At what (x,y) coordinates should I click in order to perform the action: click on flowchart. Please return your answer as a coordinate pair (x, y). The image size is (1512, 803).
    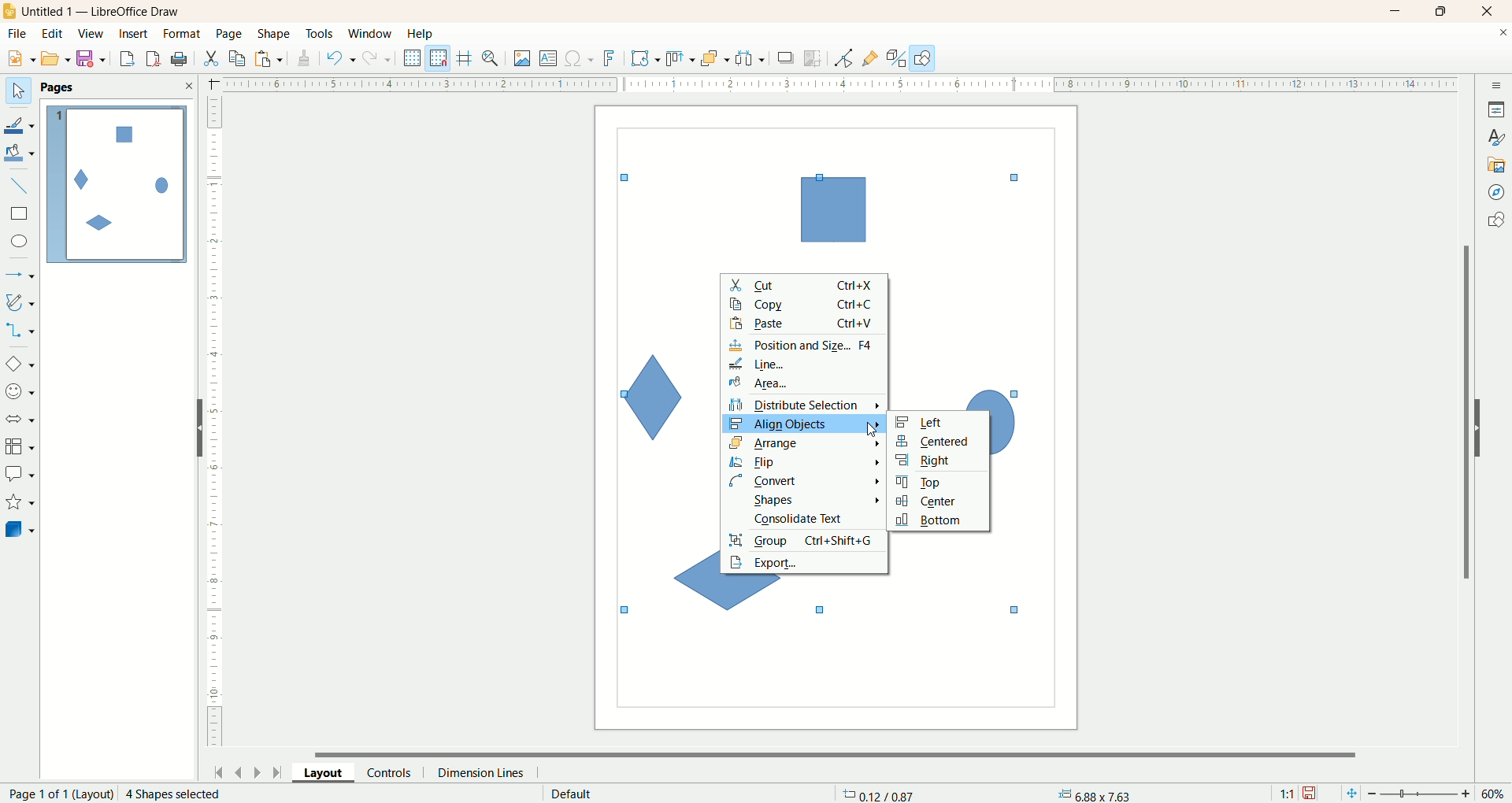
    Looking at the image, I should click on (20, 447).